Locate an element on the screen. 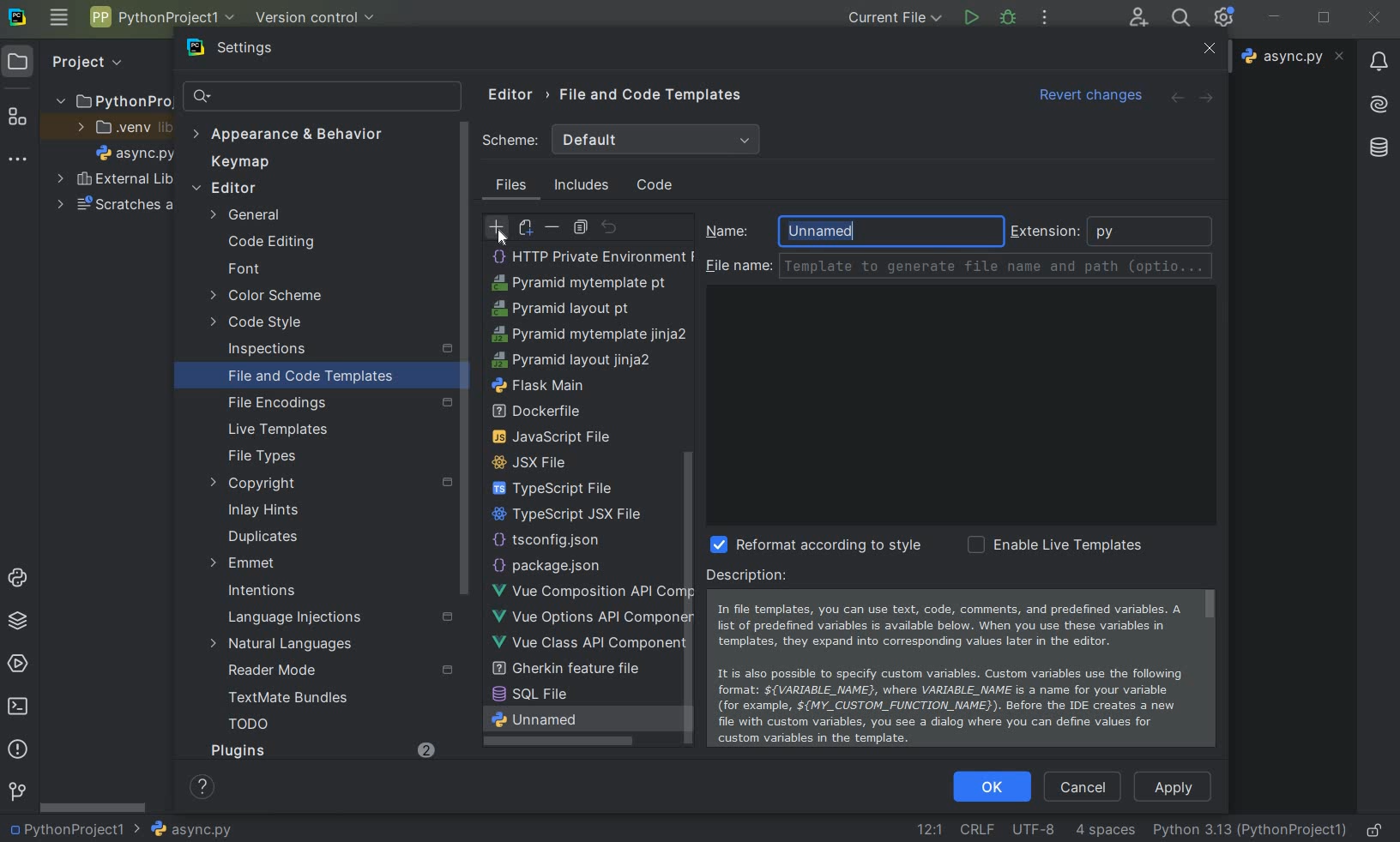 Image resolution: width=1400 pixels, height=842 pixels. File Encoding is located at coordinates (1035, 829).